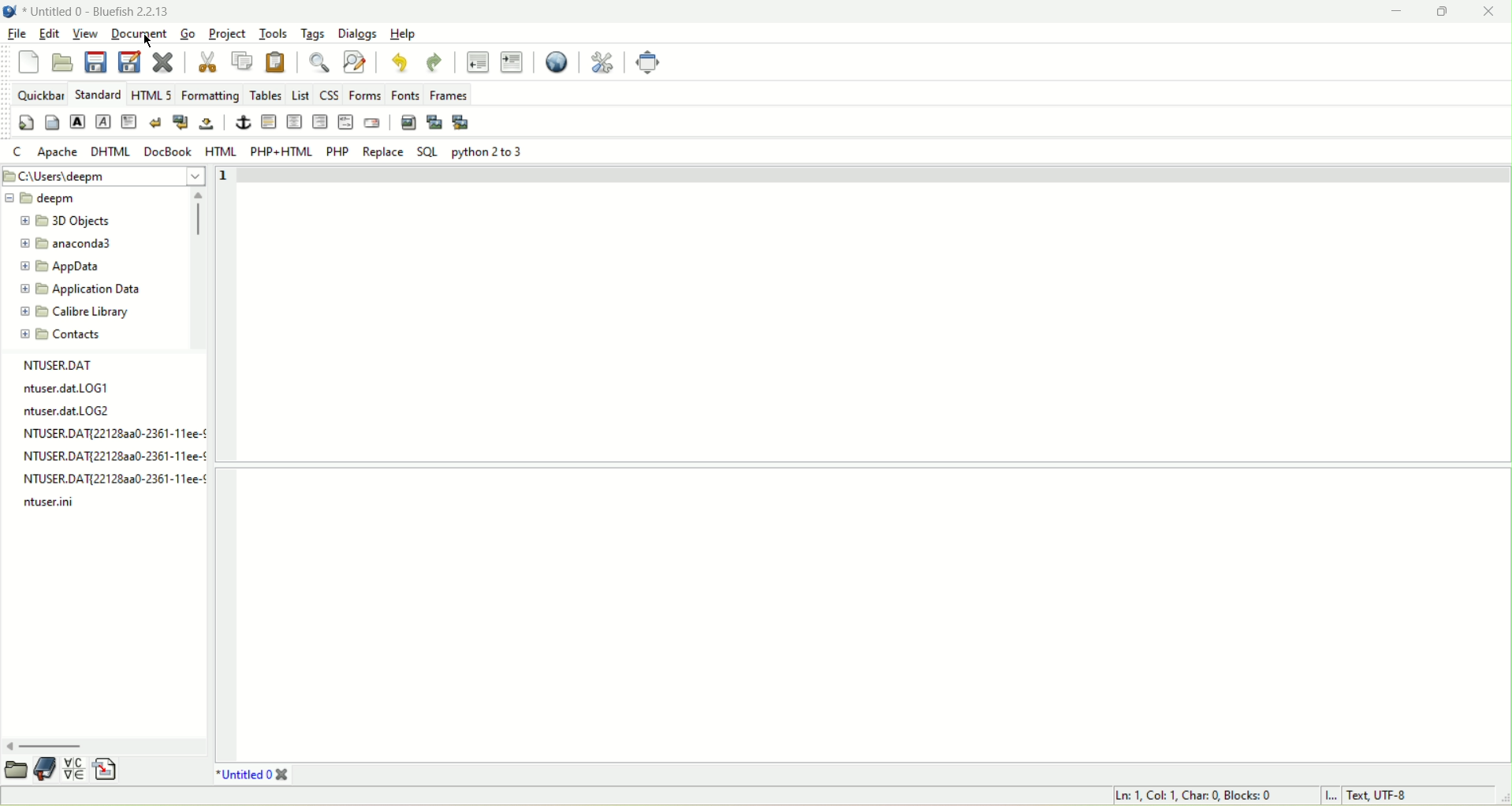  What do you see at coordinates (54, 123) in the screenshot?
I see `body` at bounding box center [54, 123].